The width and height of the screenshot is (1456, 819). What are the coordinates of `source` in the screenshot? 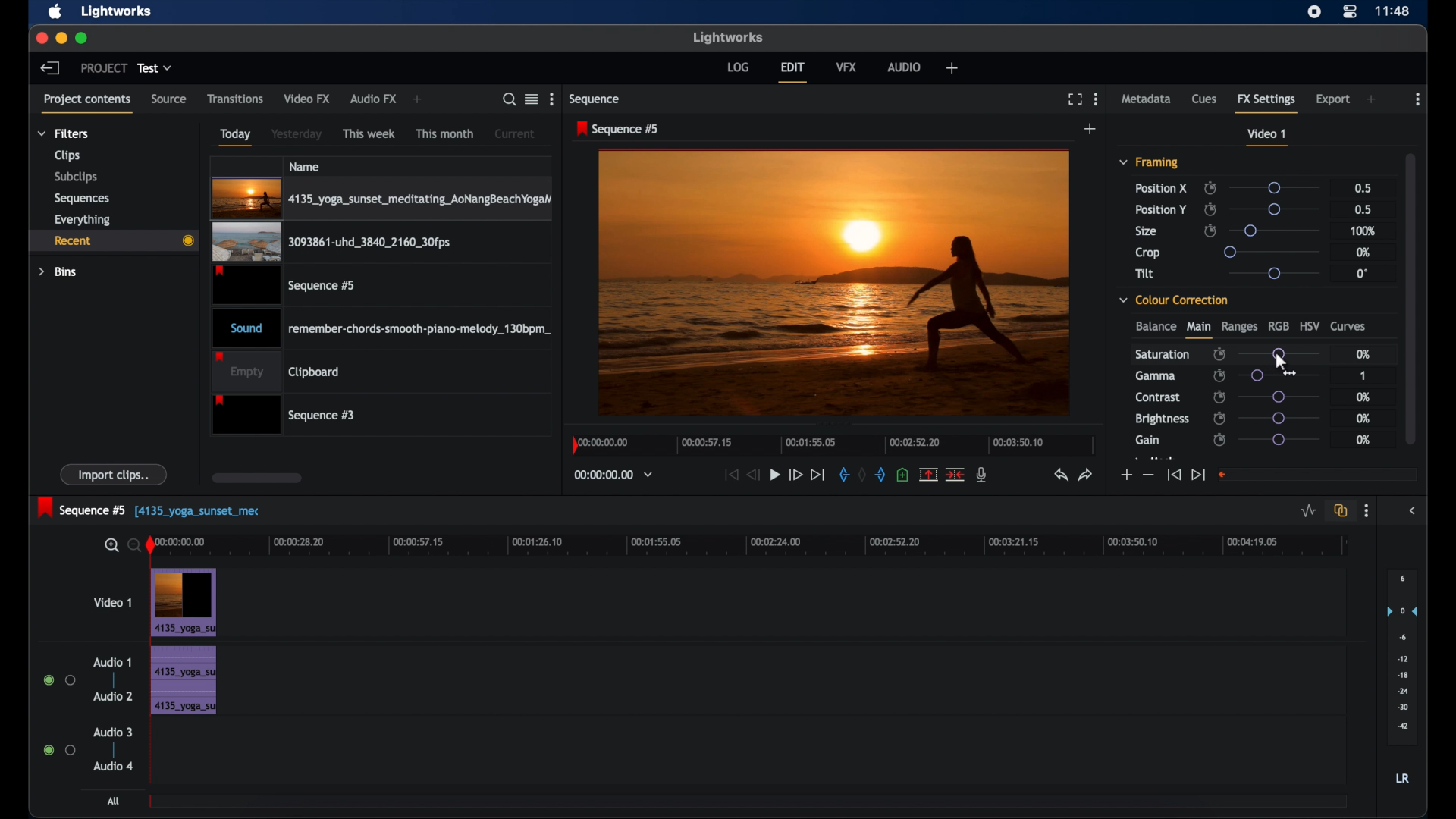 It's located at (169, 99).